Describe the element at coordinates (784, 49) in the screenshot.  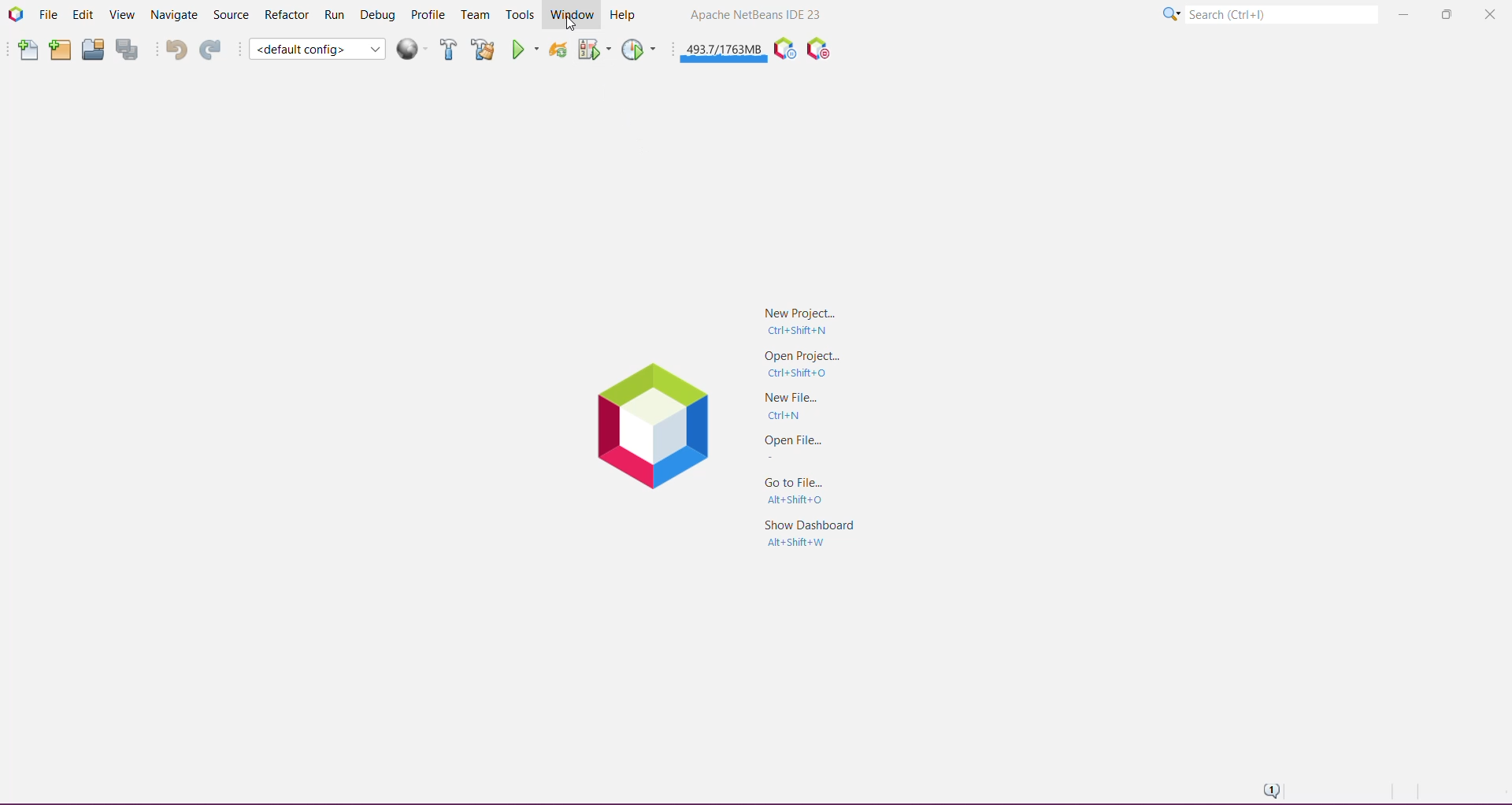
I see `Profile the IDE` at that location.